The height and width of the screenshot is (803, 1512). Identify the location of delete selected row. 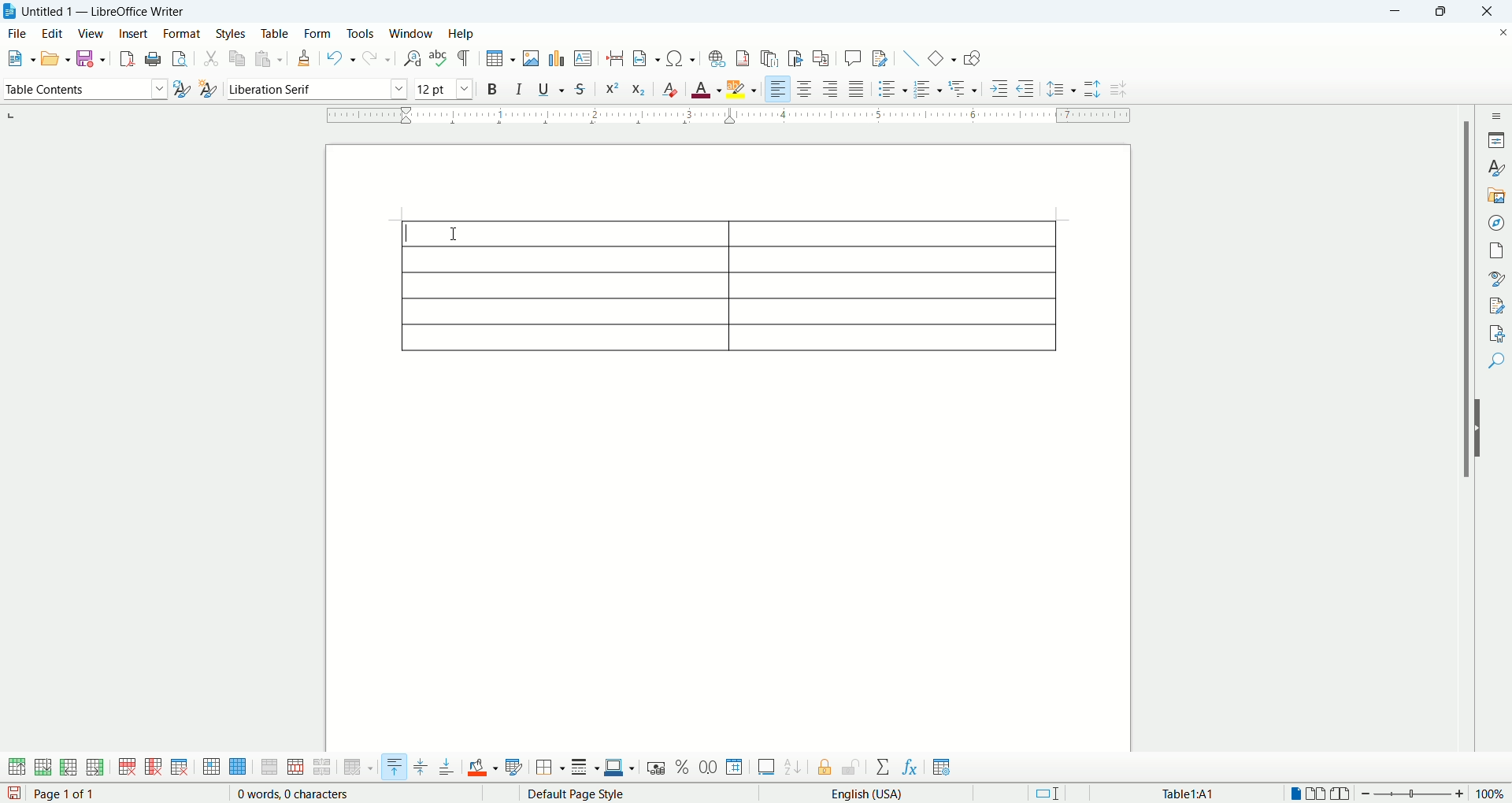
(128, 767).